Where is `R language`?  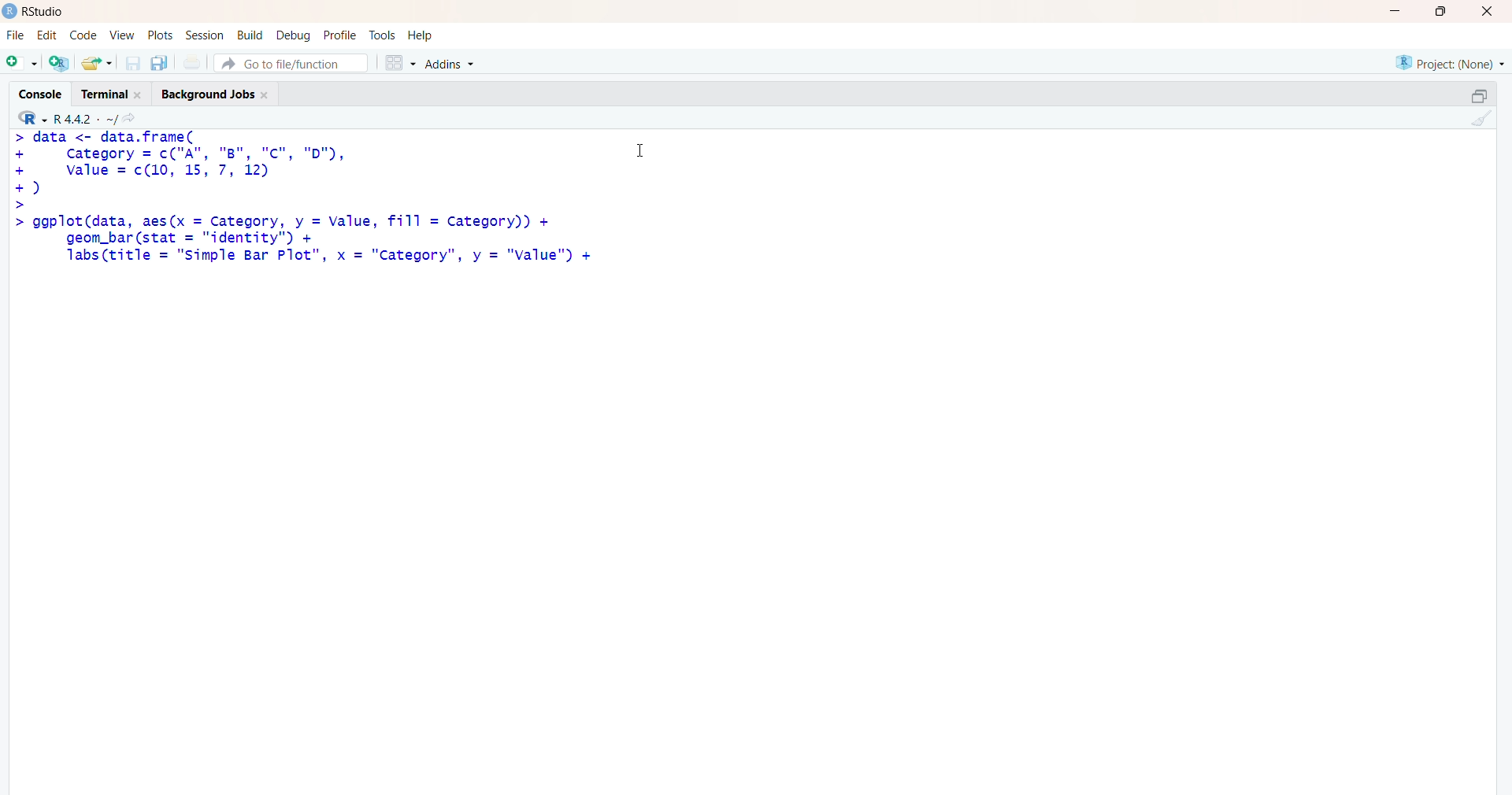
R language is located at coordinates (34, 118).